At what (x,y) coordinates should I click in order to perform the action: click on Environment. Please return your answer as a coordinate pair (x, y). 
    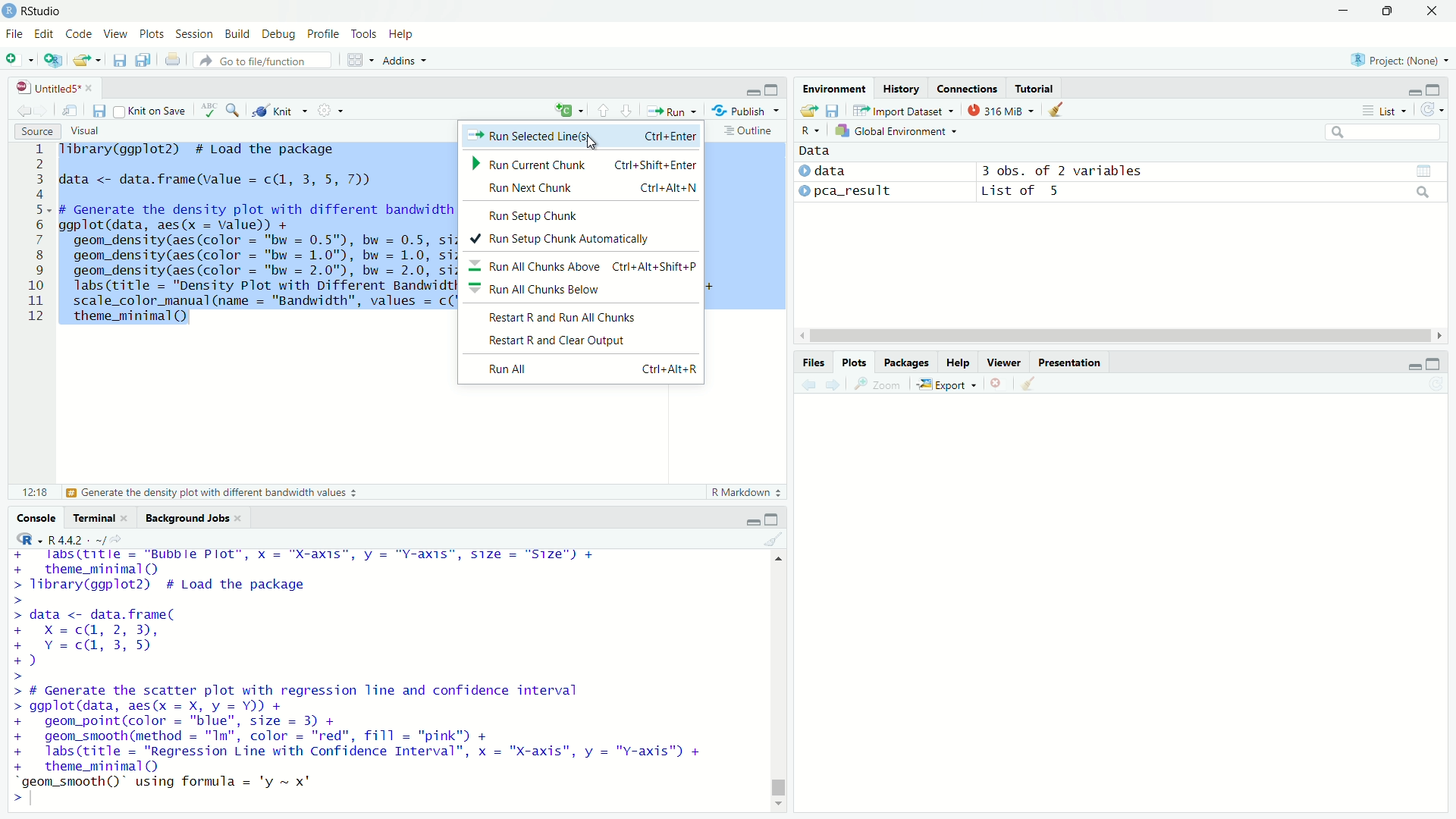
    Looking at the image, I should click on (835, 88).